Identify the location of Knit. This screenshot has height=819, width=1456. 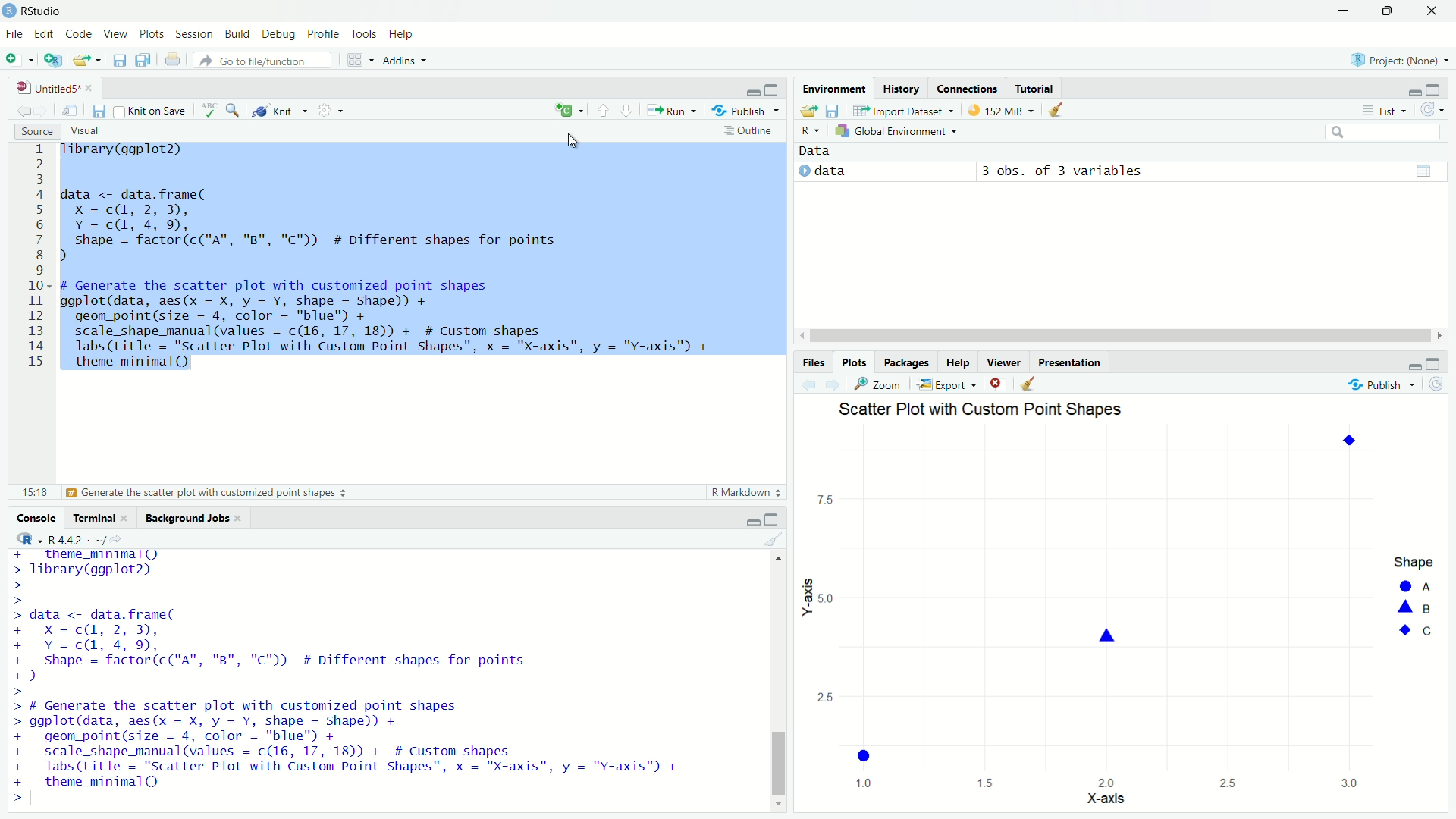
(279, 110).